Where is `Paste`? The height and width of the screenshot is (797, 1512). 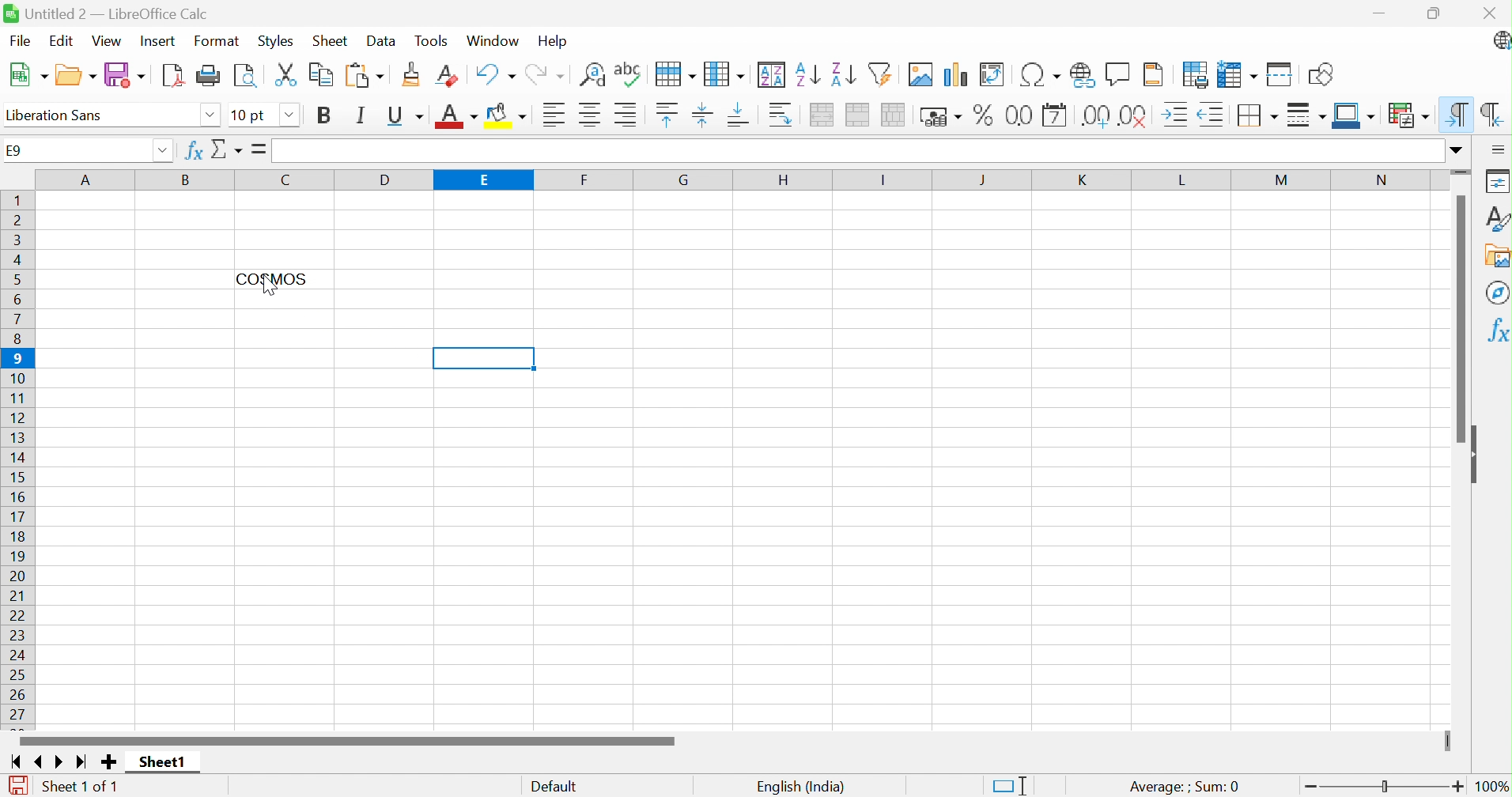 Paste is located at coordinates (364, 77).